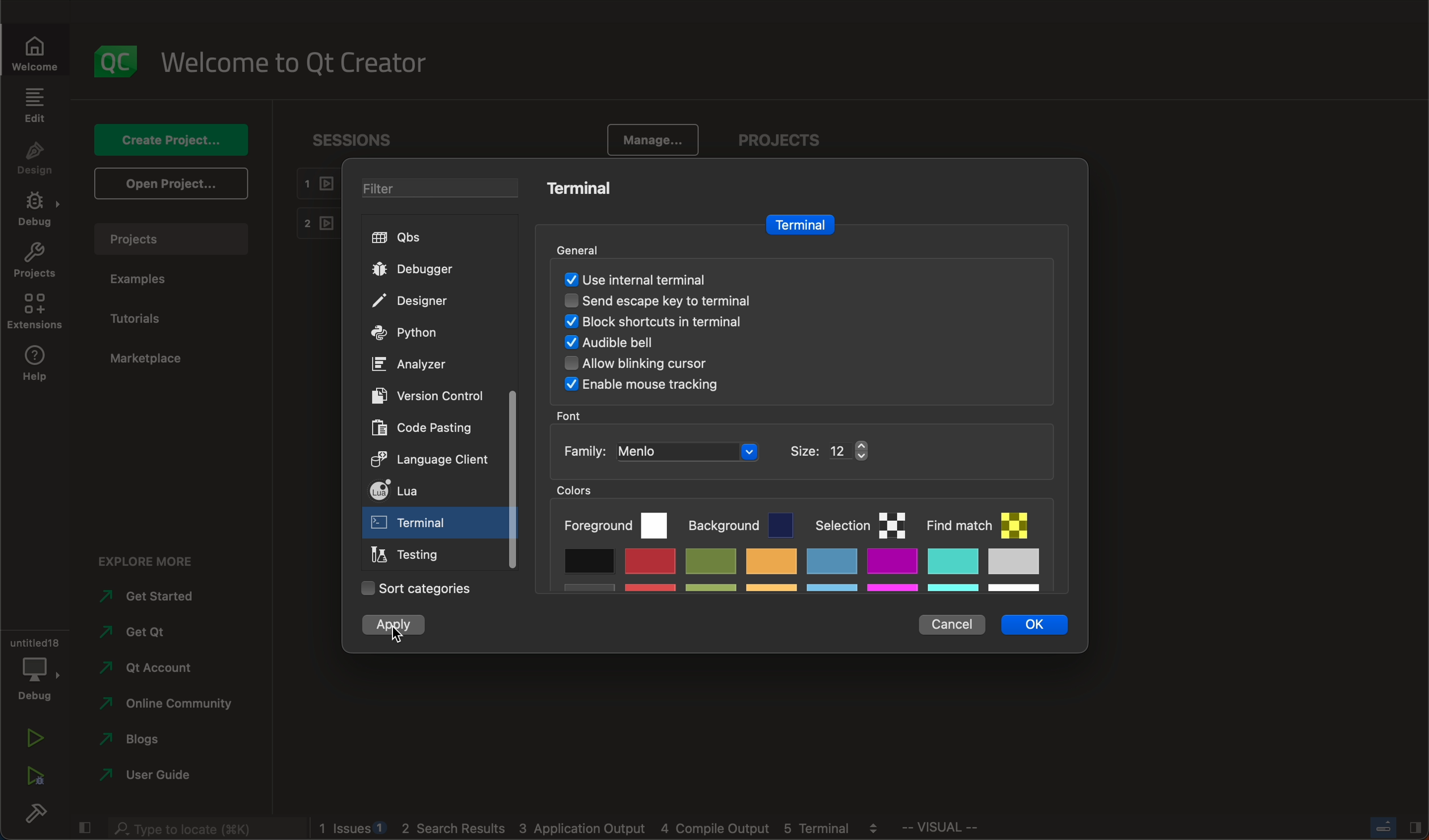  Describe the element at coordinates (152, 360) in the screenshot. I see `marketplace` at that location.